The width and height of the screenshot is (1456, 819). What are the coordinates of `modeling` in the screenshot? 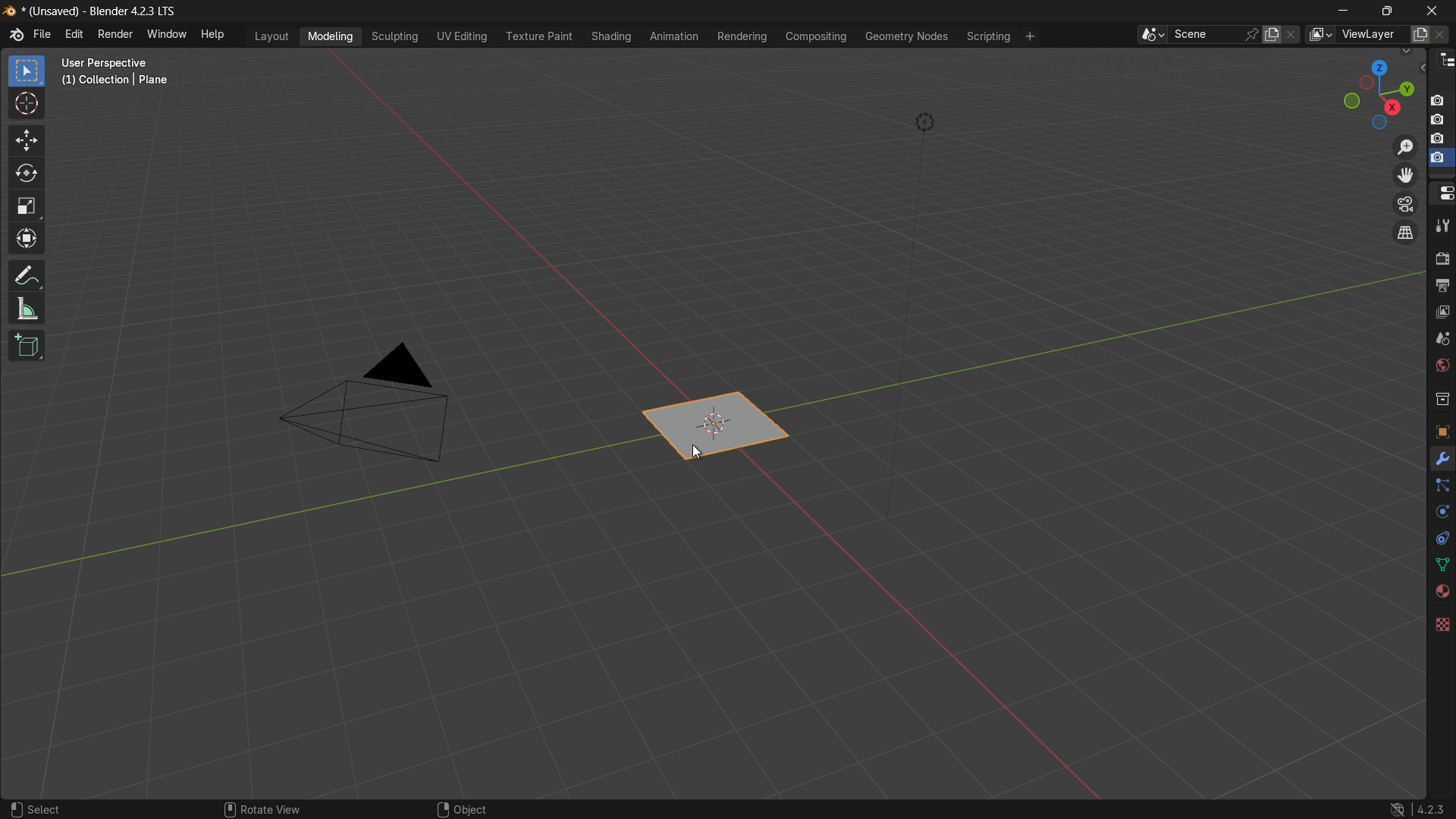 It's located at (328, 36).